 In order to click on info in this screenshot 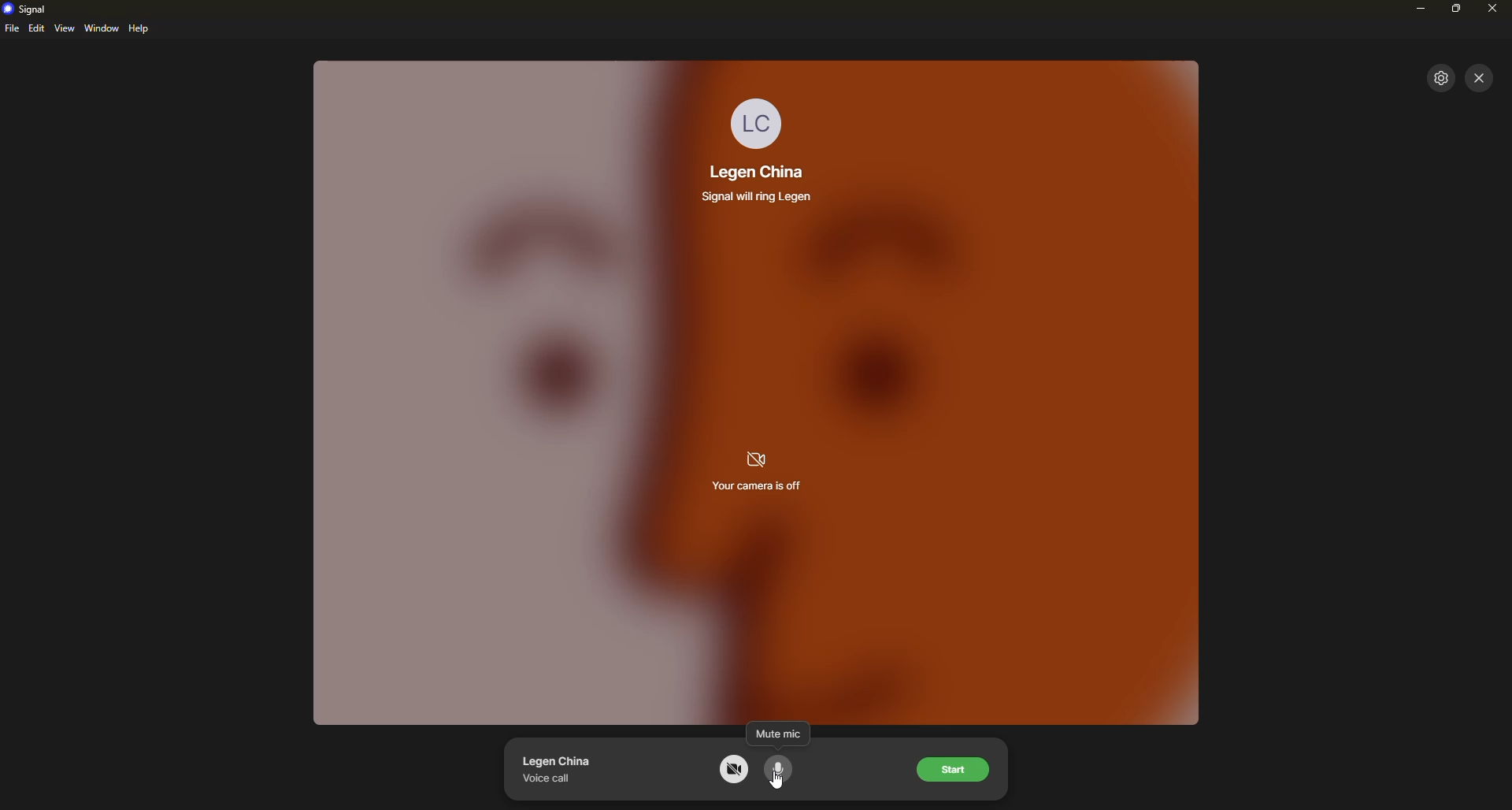, I will do `click(761, 195)`.